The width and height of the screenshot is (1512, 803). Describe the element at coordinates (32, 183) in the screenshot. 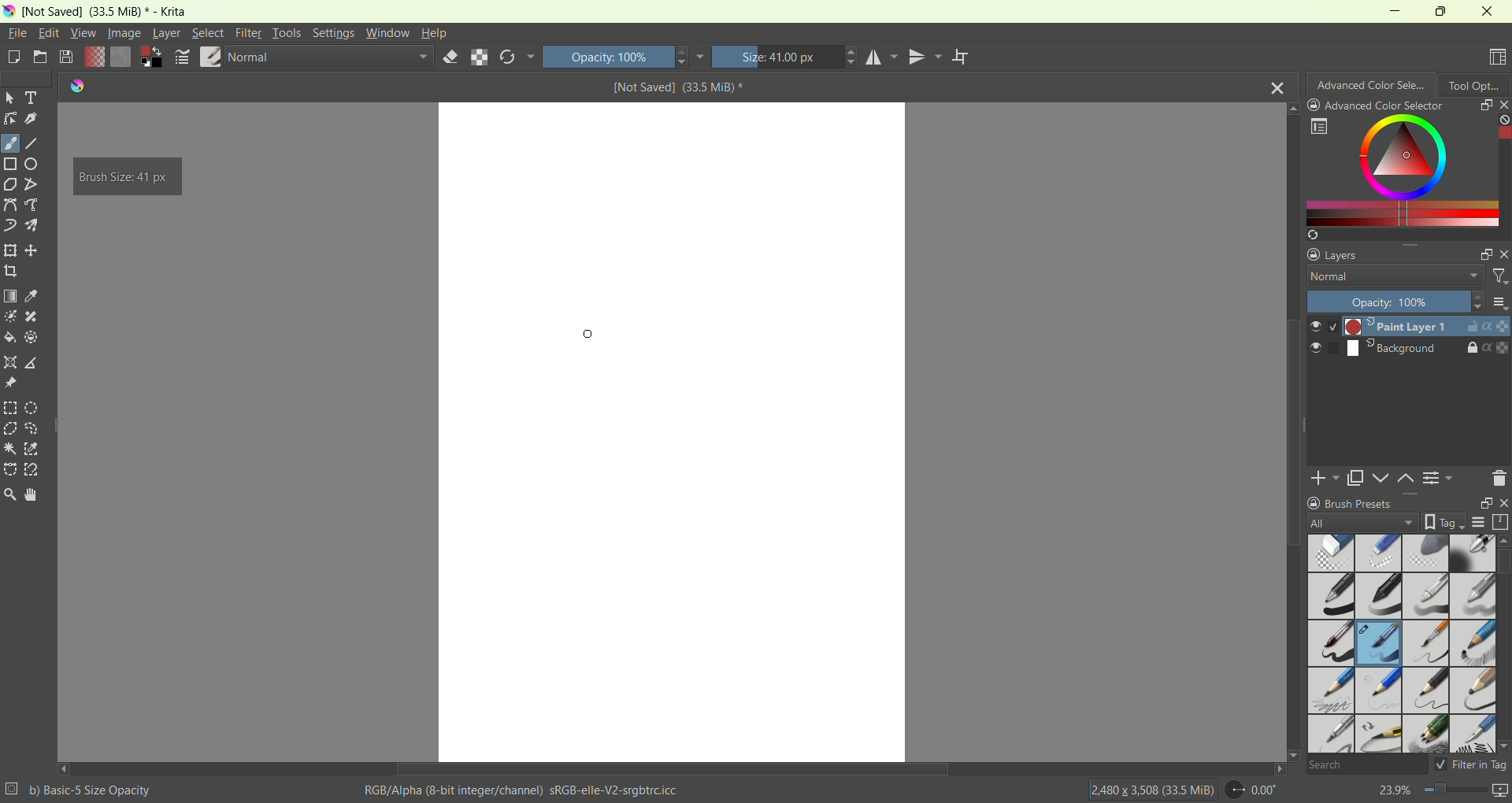

I see `polyline` at that location.